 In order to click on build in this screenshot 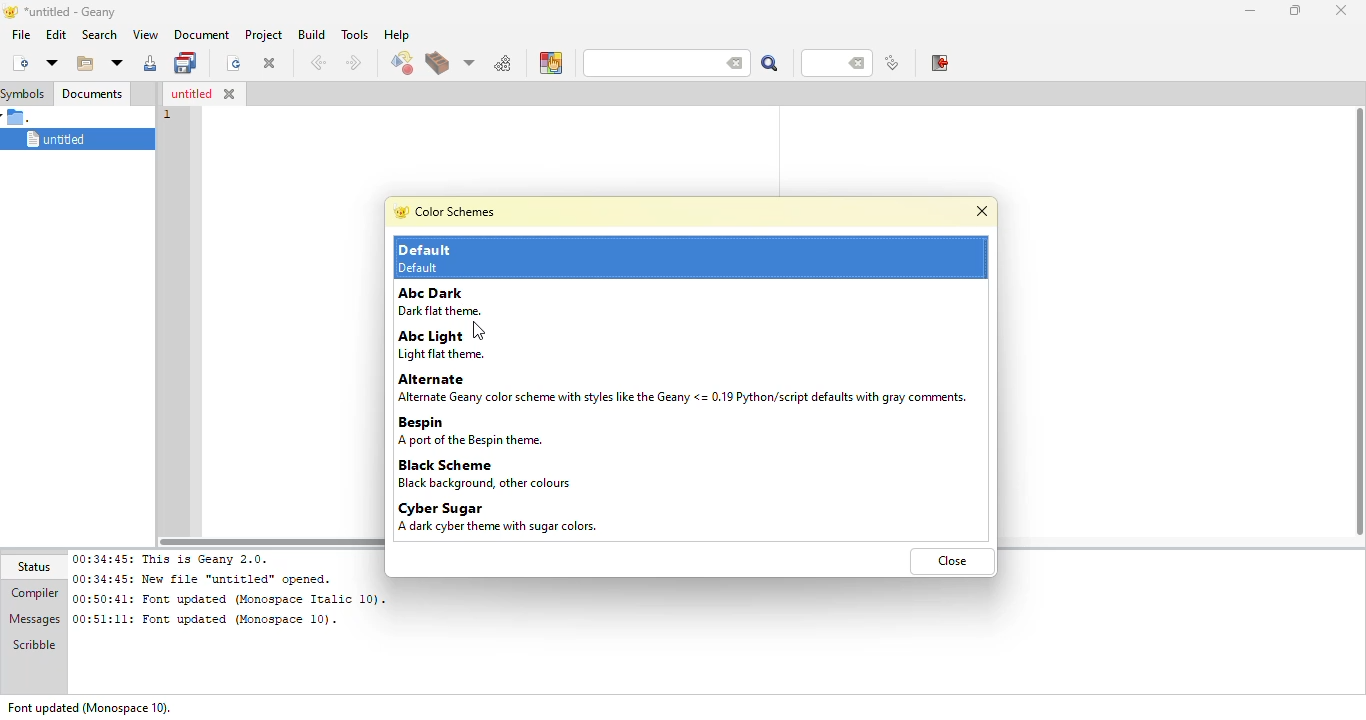, I will do `click(436, 65)`.